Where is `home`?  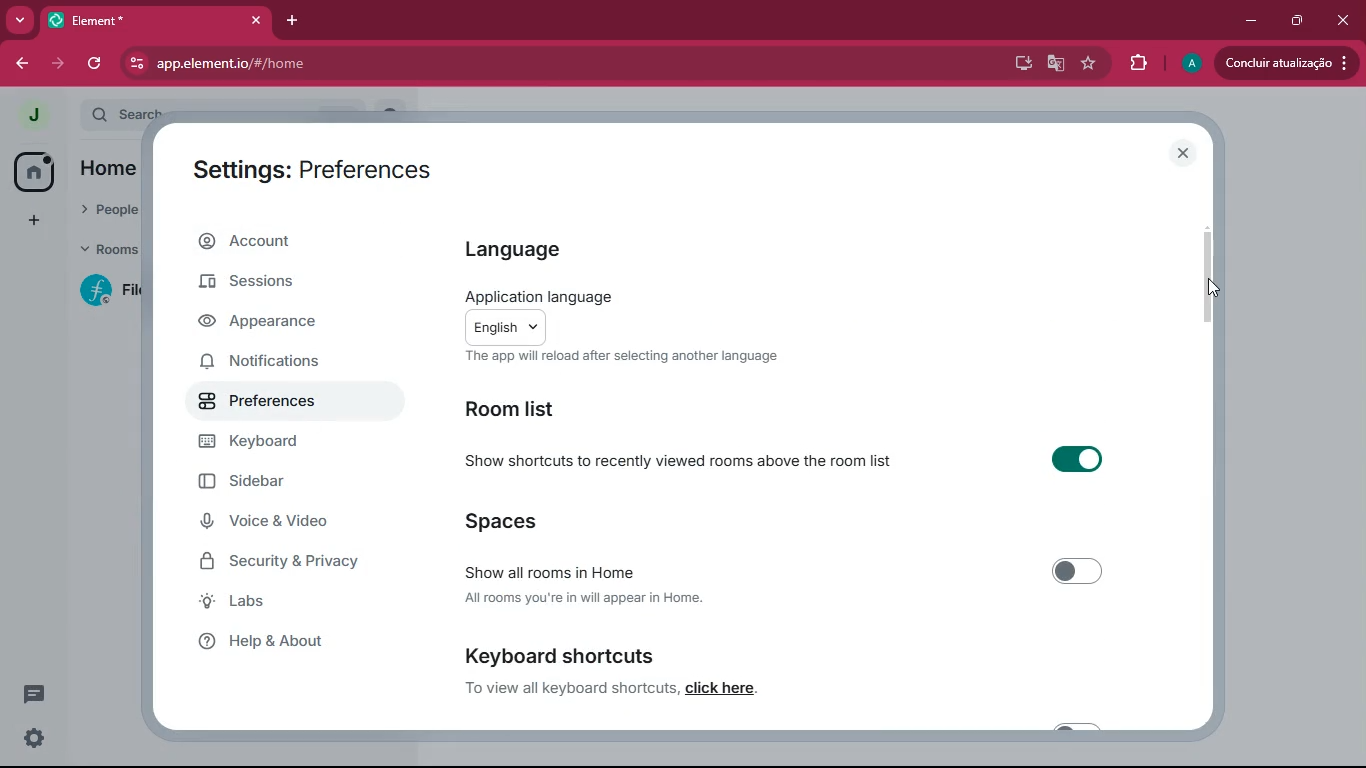
home is located at coordinates (27, 174).